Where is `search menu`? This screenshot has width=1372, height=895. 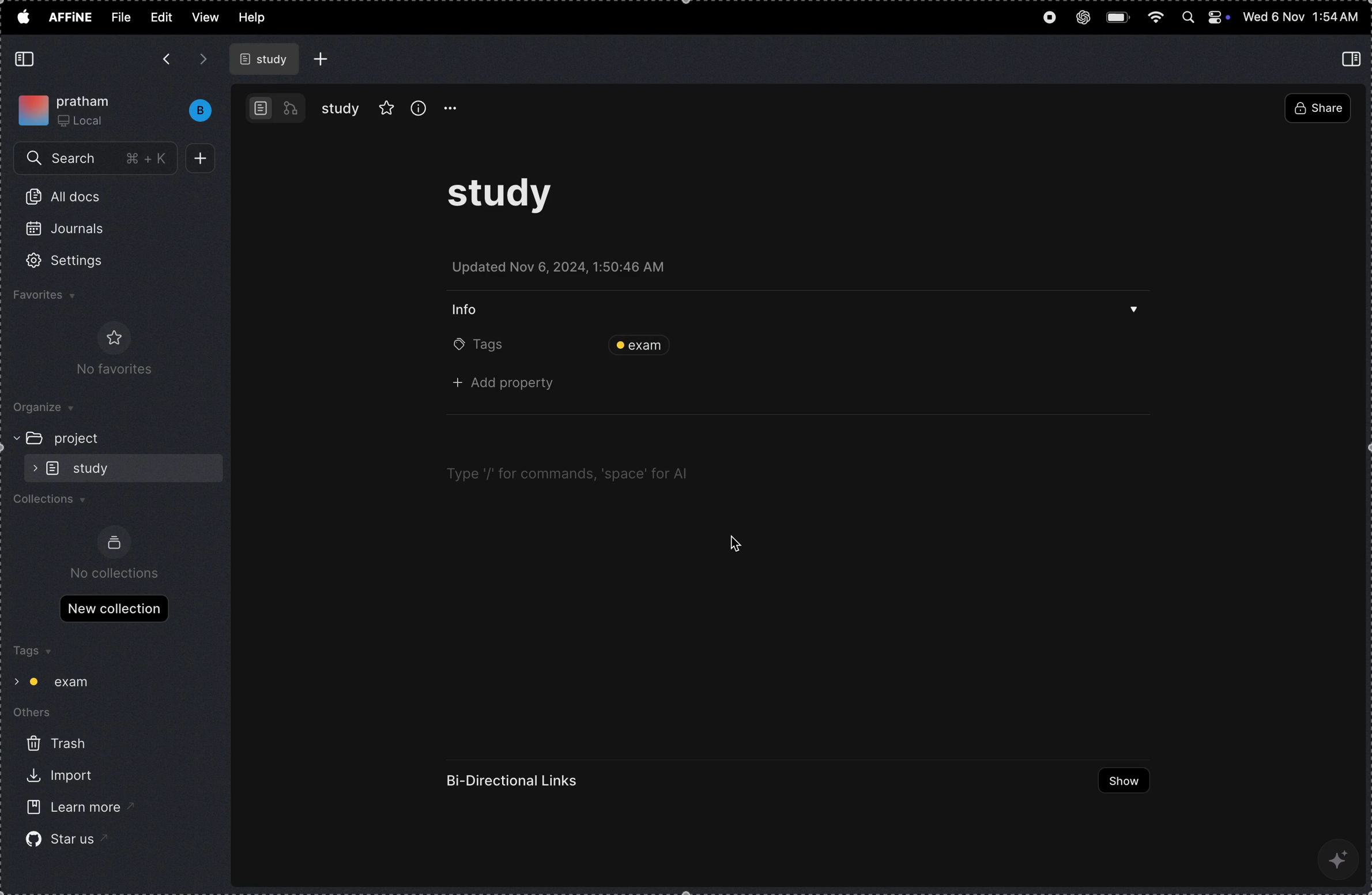
search menu is located at coordinates (97, 159).